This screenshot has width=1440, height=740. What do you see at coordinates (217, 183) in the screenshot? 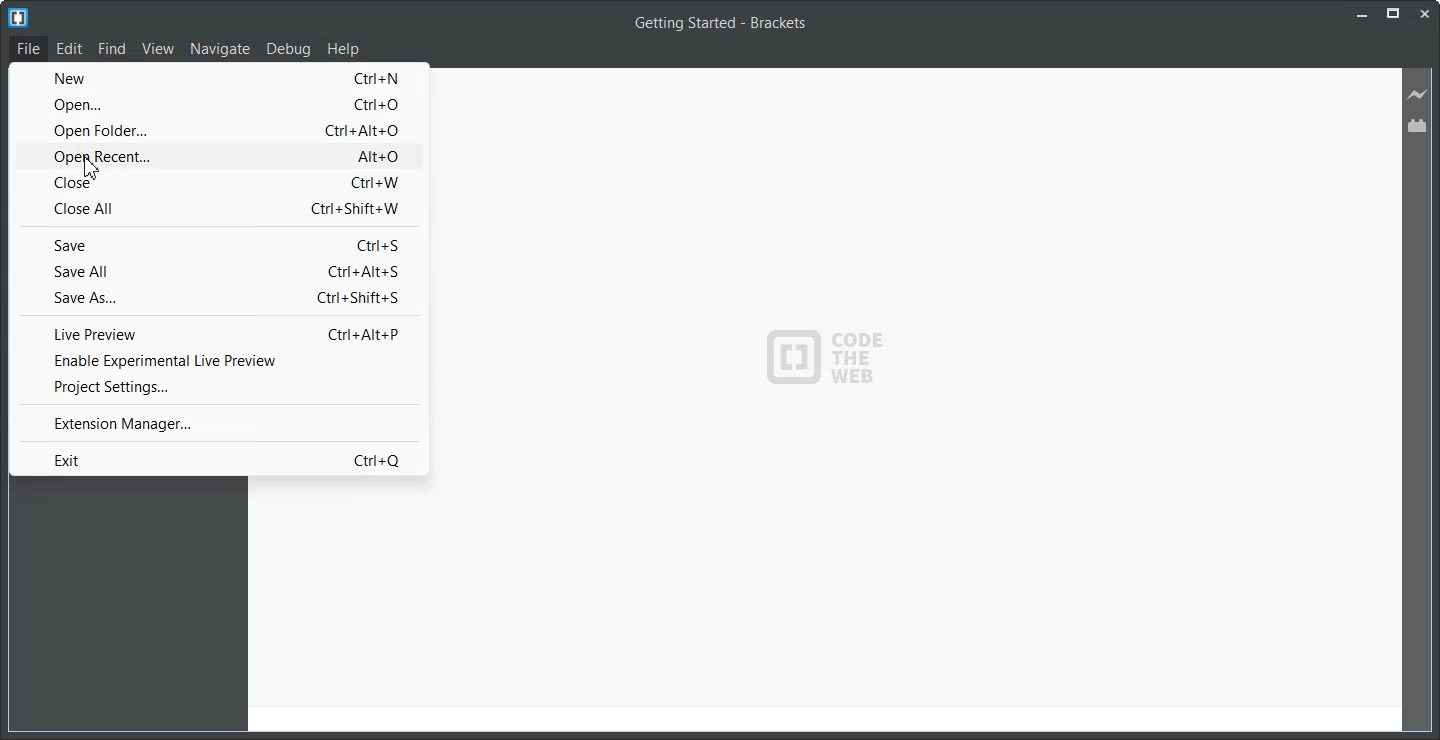
I see `Close` at bounding box center [217, 183].